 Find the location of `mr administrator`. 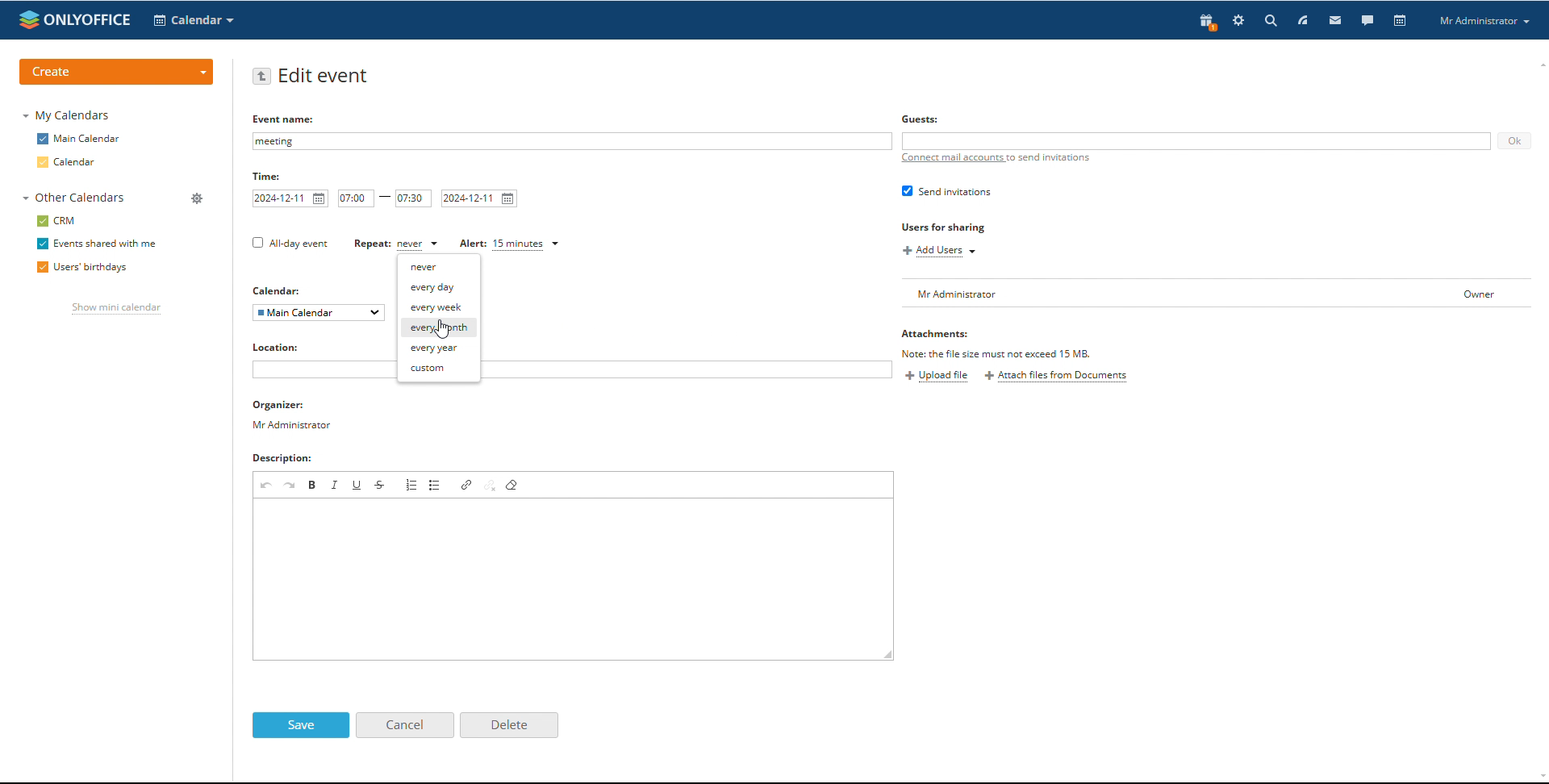

mr administrator is located at coordinates (297, 428).